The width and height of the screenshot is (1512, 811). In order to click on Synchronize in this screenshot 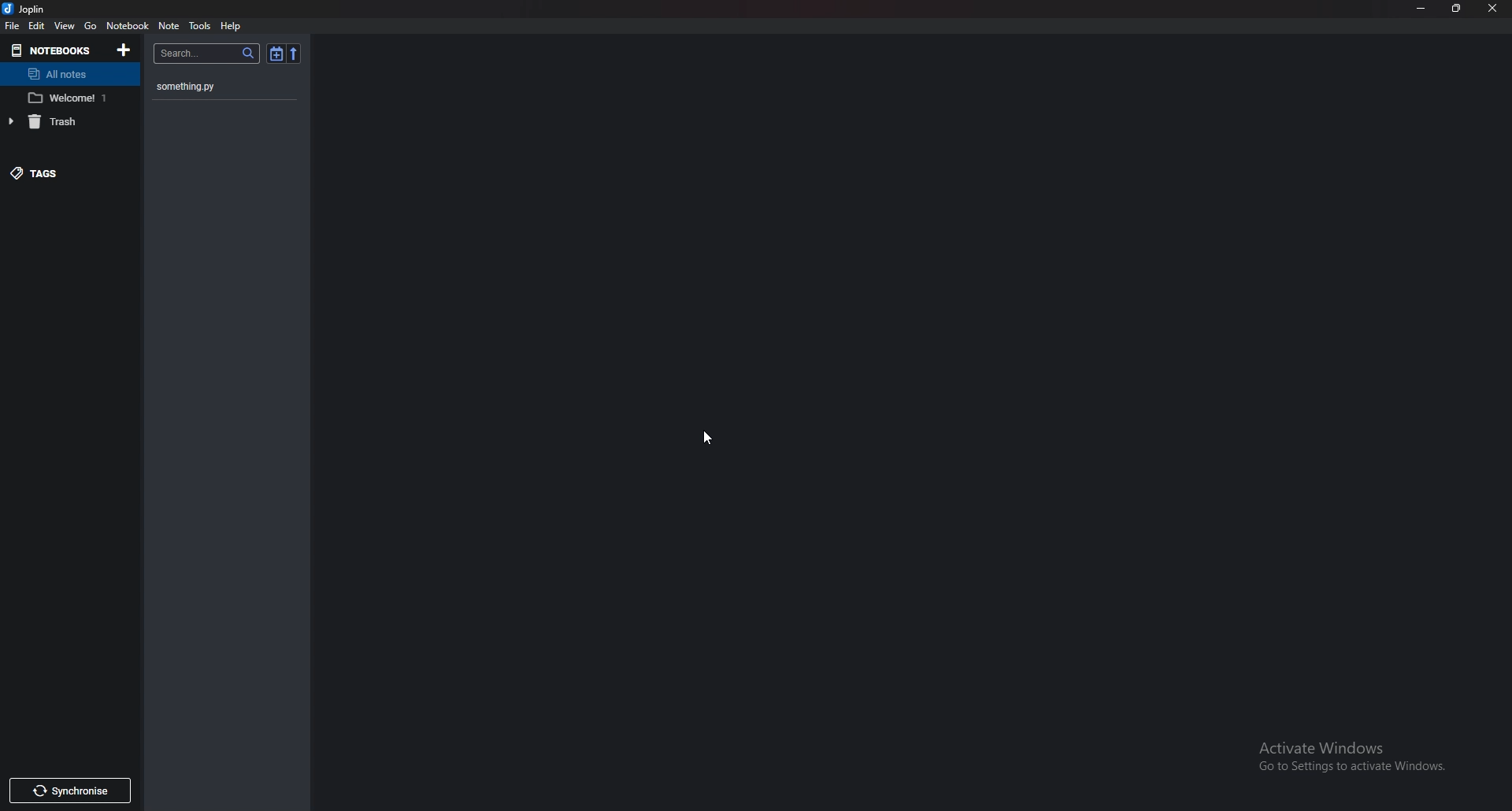, I will do `click(72, 791)`.